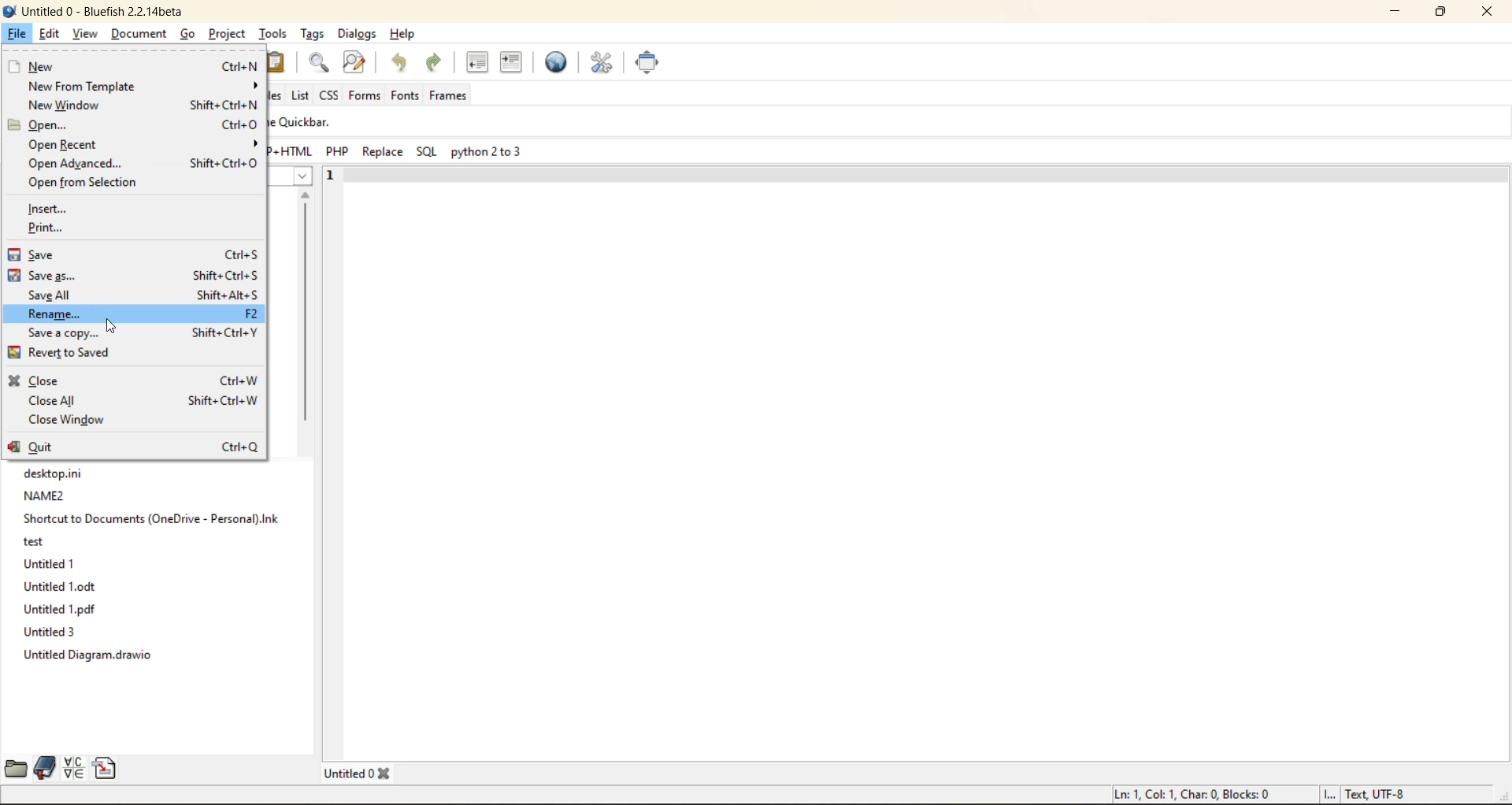  I want to click on tags, so click(315, 35).